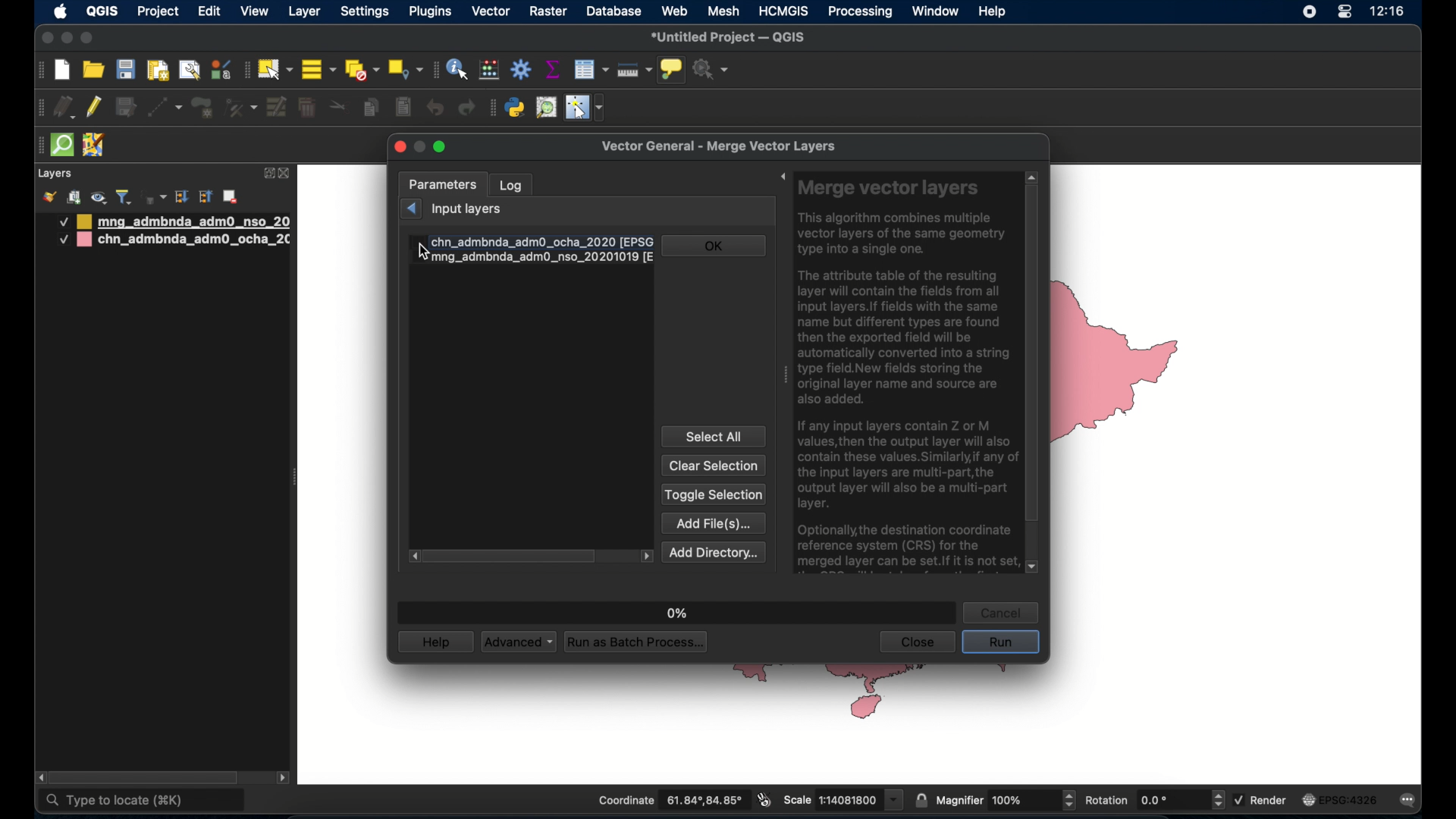  I want to click on add group, so click(74, 197).